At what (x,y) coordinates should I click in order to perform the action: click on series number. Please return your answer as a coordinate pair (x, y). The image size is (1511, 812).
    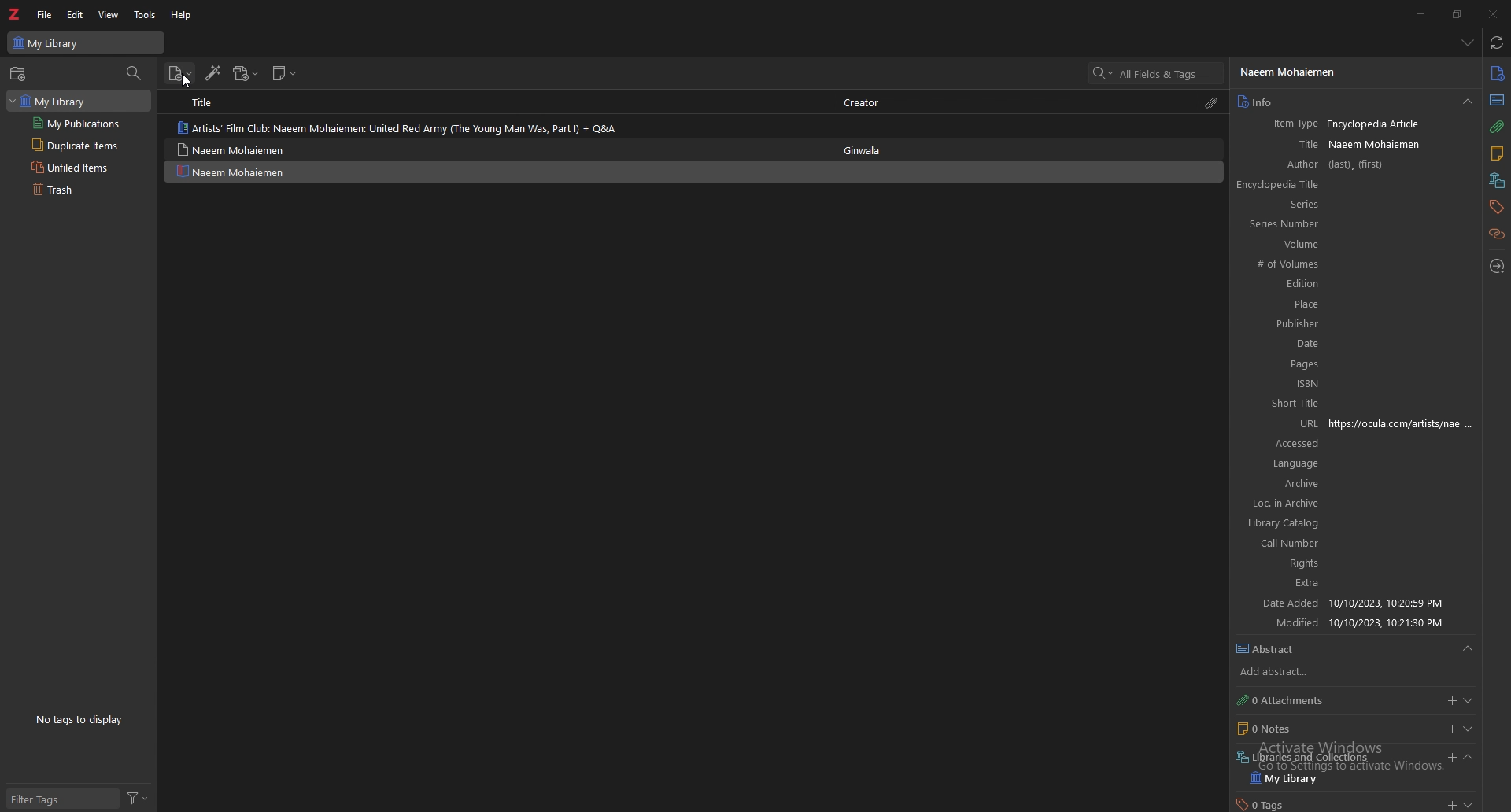
    Looking at the image, I should click on (1277, 225).